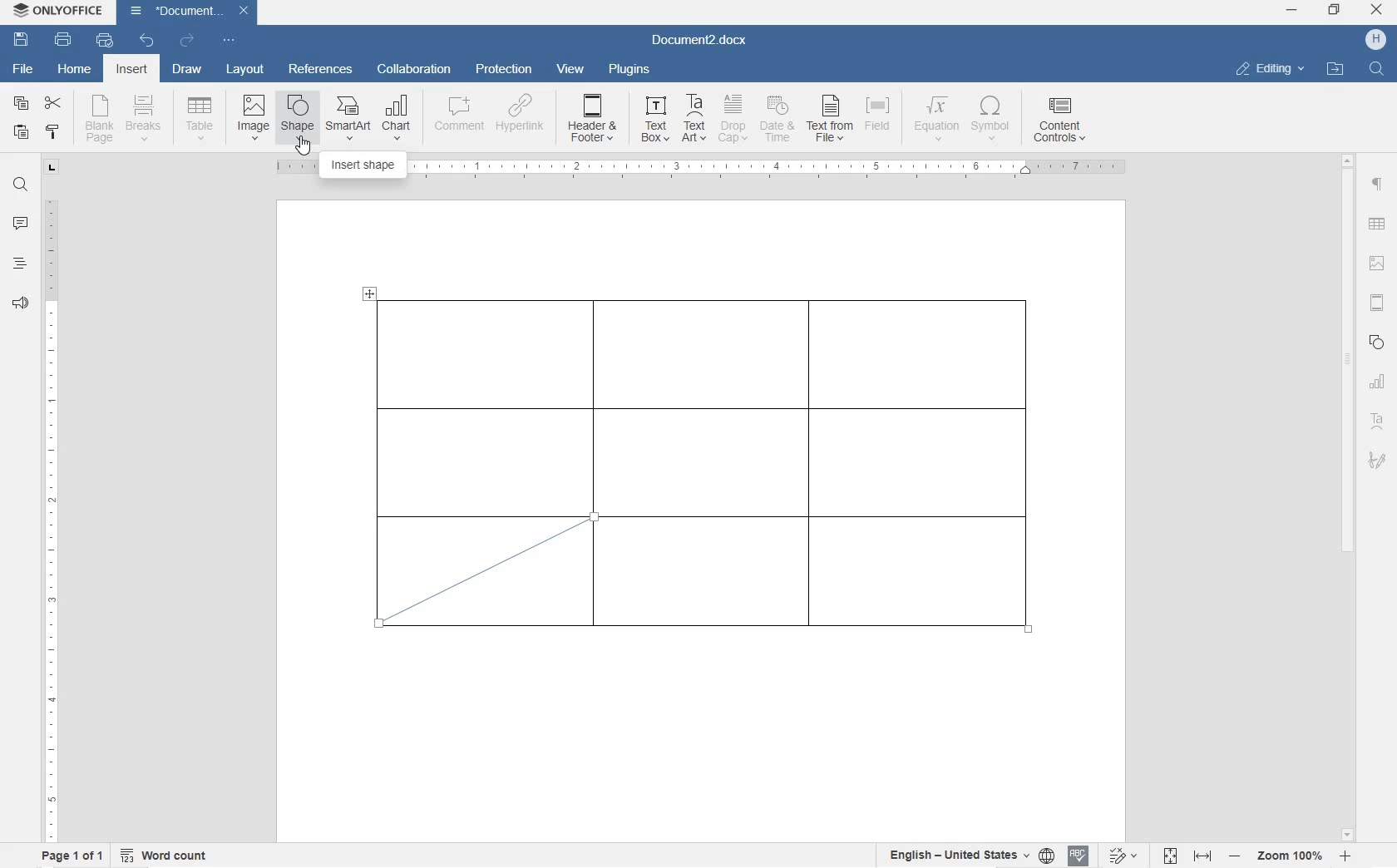  I want to click on track changes, so click(1127, 856).